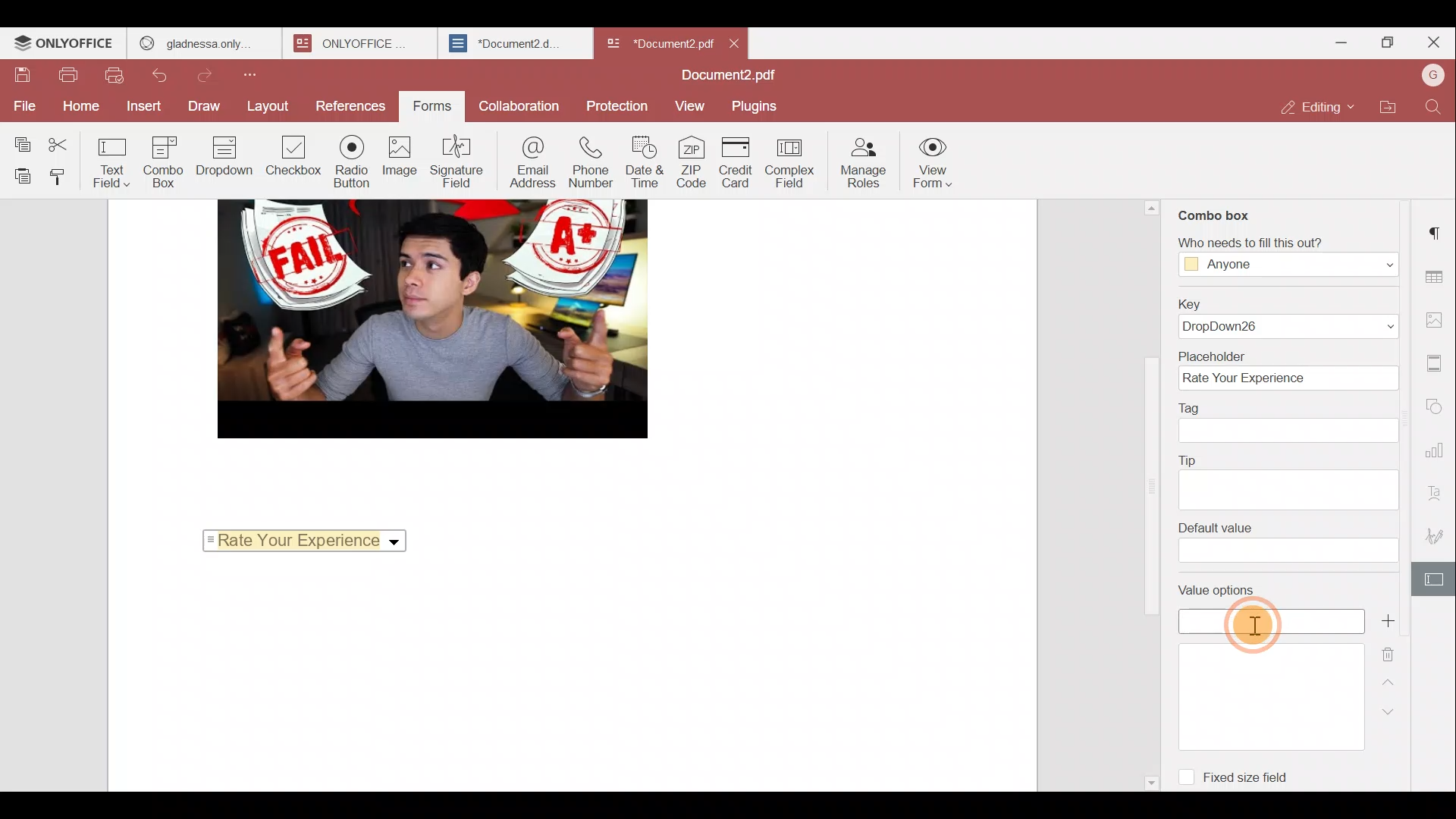 The image size is (1456, 819). What do you see at coordinates (65, 177) in the screenshot?
I see `Copy style` at bounding box center [65, 177].